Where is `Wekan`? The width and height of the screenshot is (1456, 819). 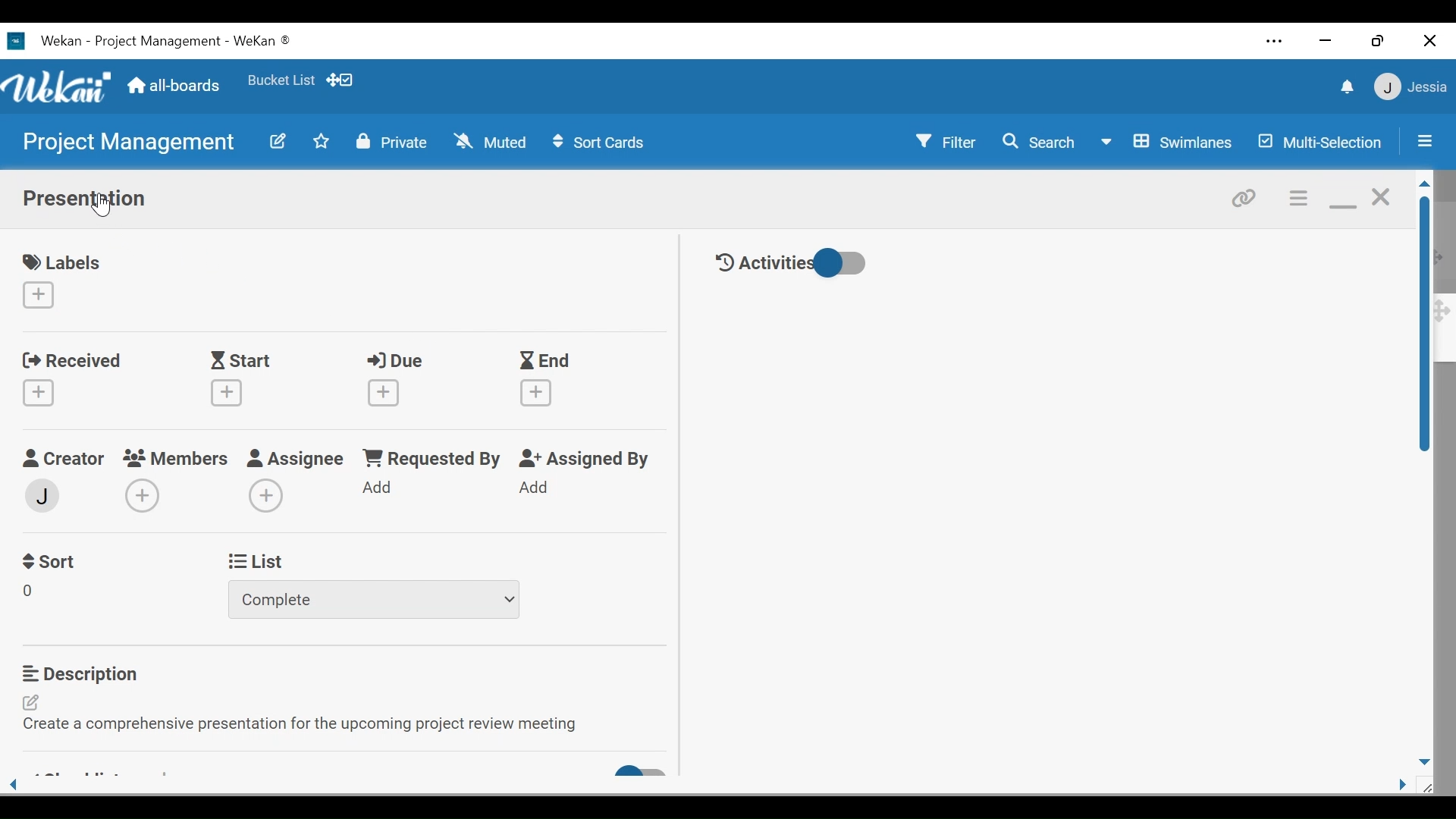 Wekan is located at coordinates (262, 42).